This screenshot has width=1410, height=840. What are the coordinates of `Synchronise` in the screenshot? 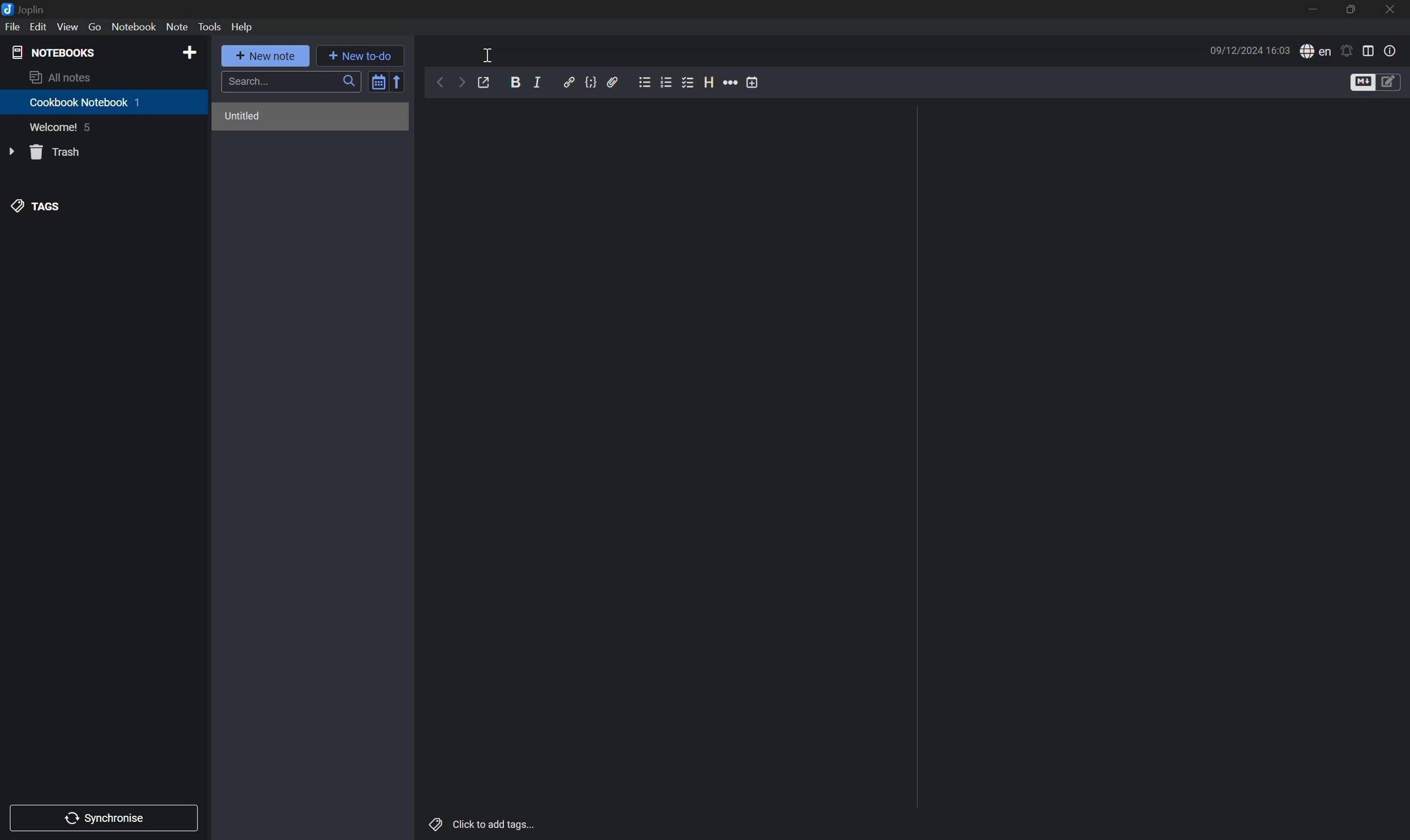 It's located at (106, 818).